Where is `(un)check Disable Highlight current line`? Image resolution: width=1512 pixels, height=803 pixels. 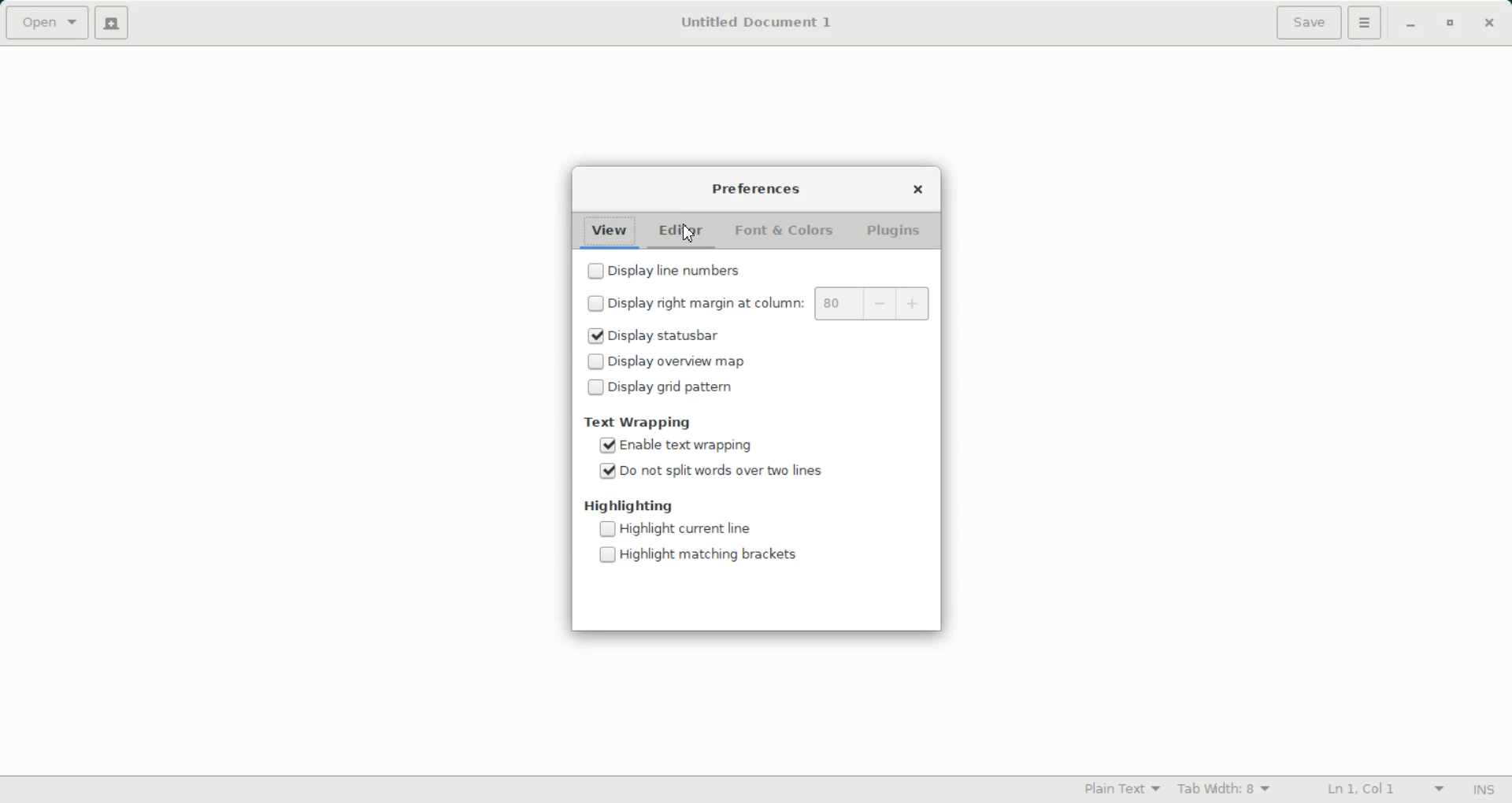 (un)check Disable Highlight current line is located at coordinates (683, 529).